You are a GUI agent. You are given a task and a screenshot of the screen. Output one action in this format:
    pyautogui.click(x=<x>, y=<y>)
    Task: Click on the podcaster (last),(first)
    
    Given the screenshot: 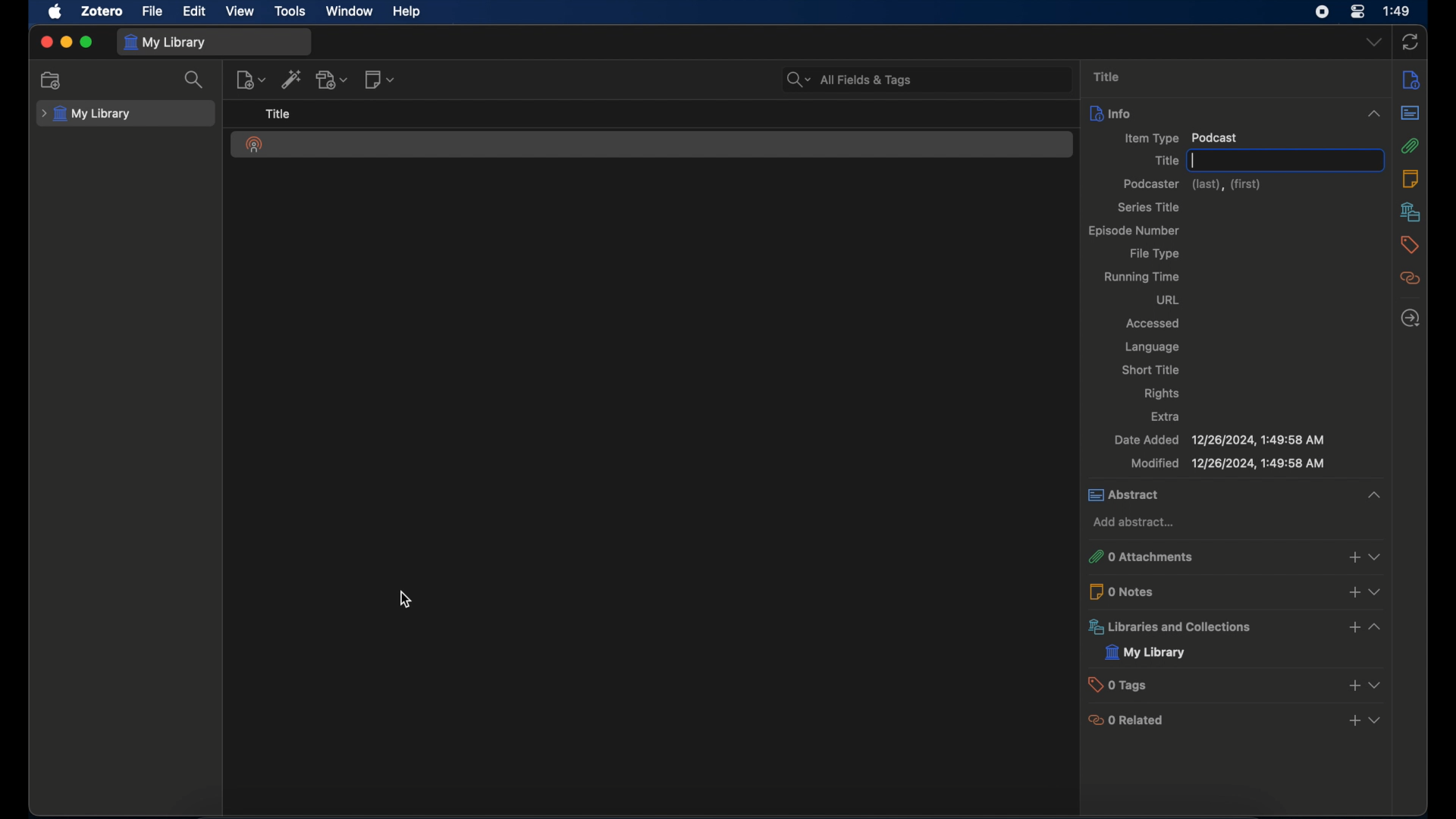 What is the action you would take?
    pyautogui.click(x=1192, y=184)
    